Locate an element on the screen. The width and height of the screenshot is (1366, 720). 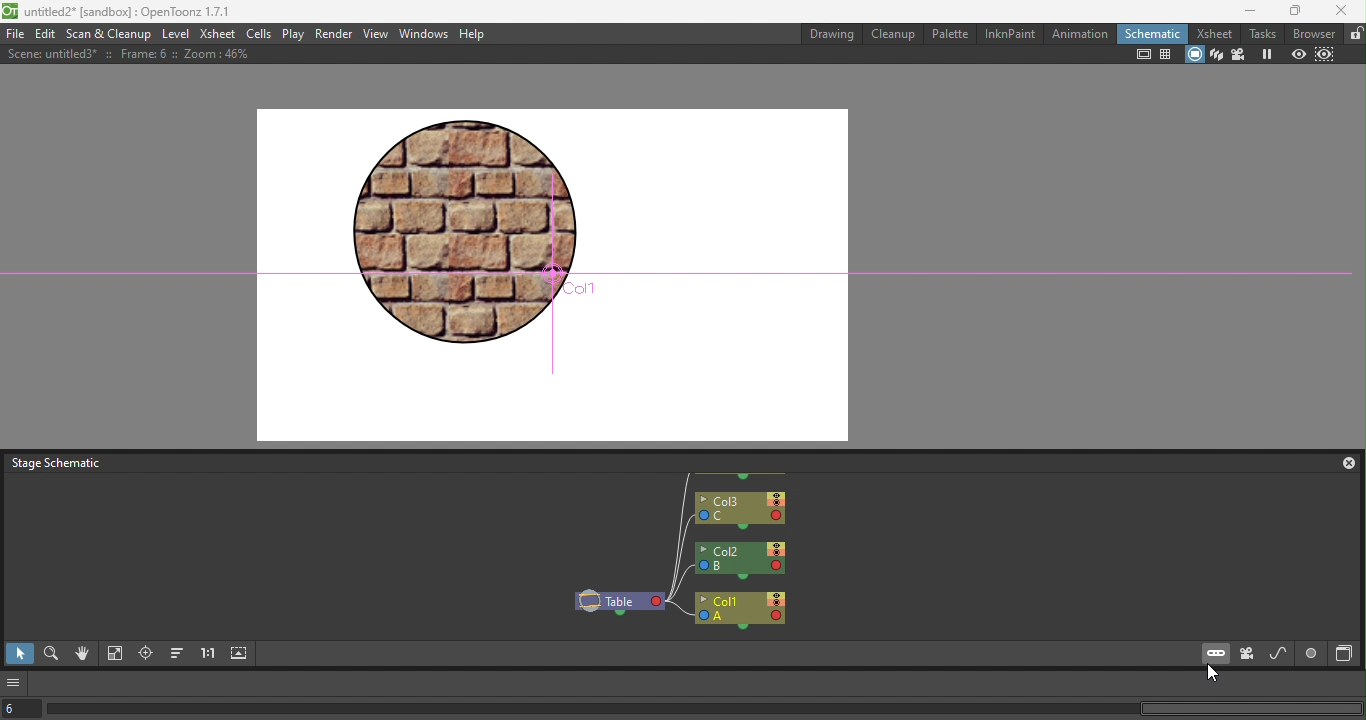
Selection mode is located at coordinates (18, 654).